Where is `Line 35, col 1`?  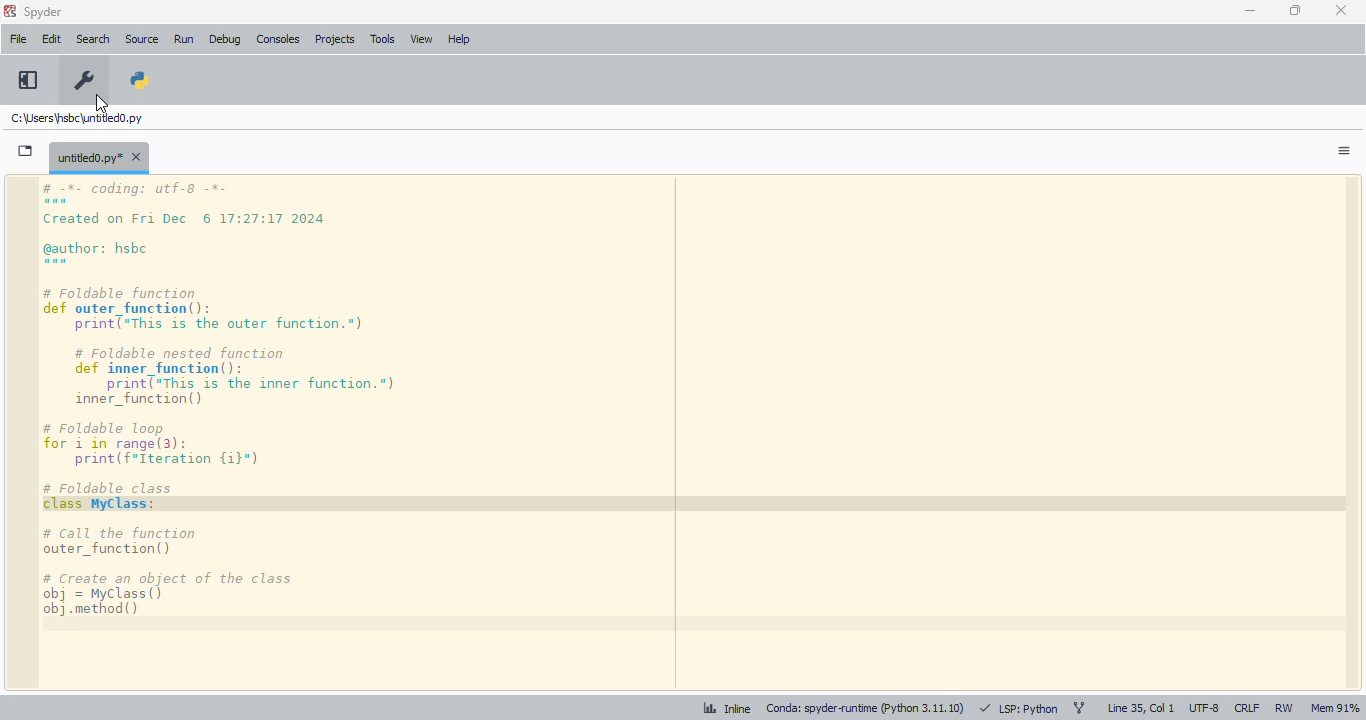
Line 35, col 1 is located at coordinates (1141, 707).